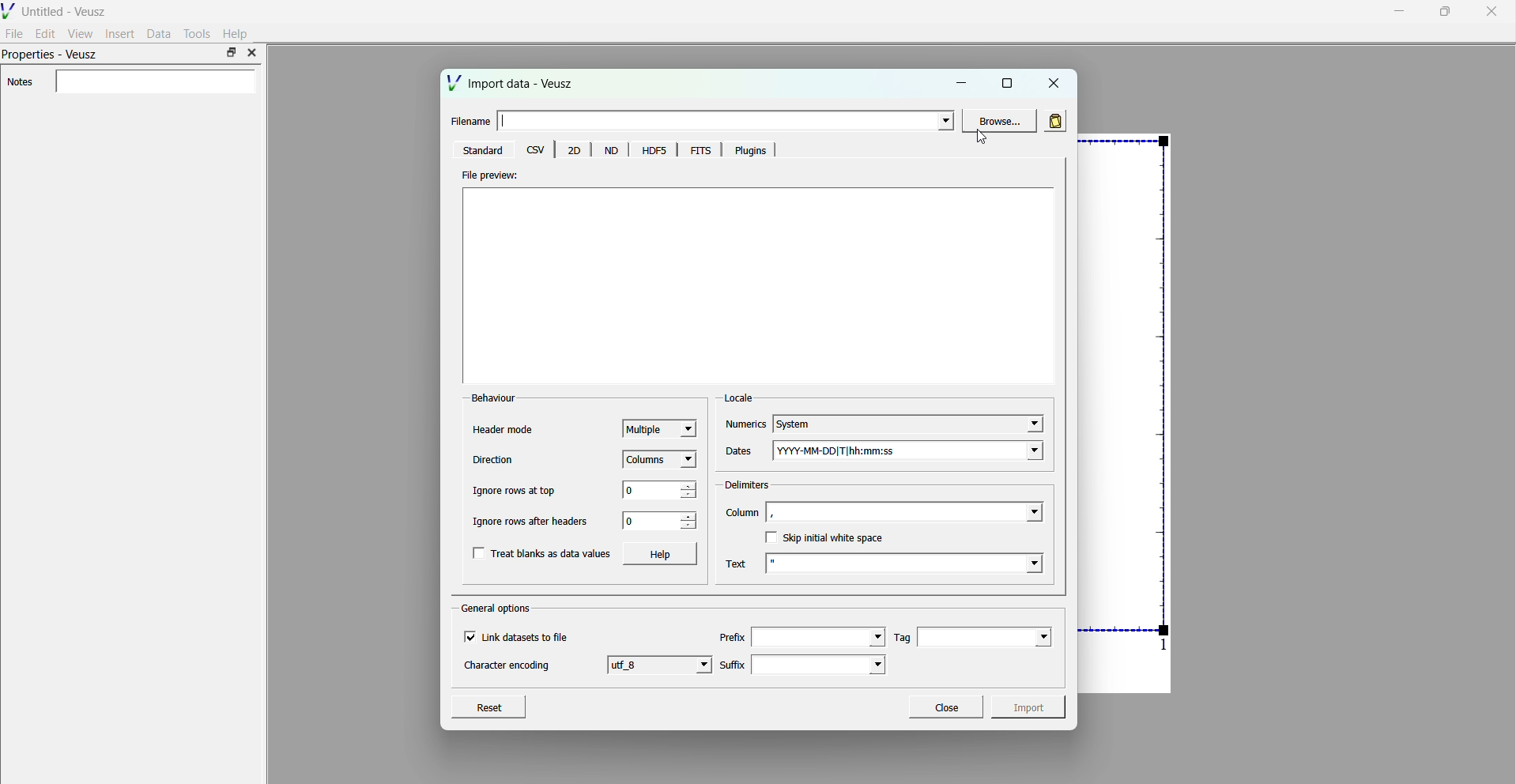  I want to click on HDF5, so click(653, 151).